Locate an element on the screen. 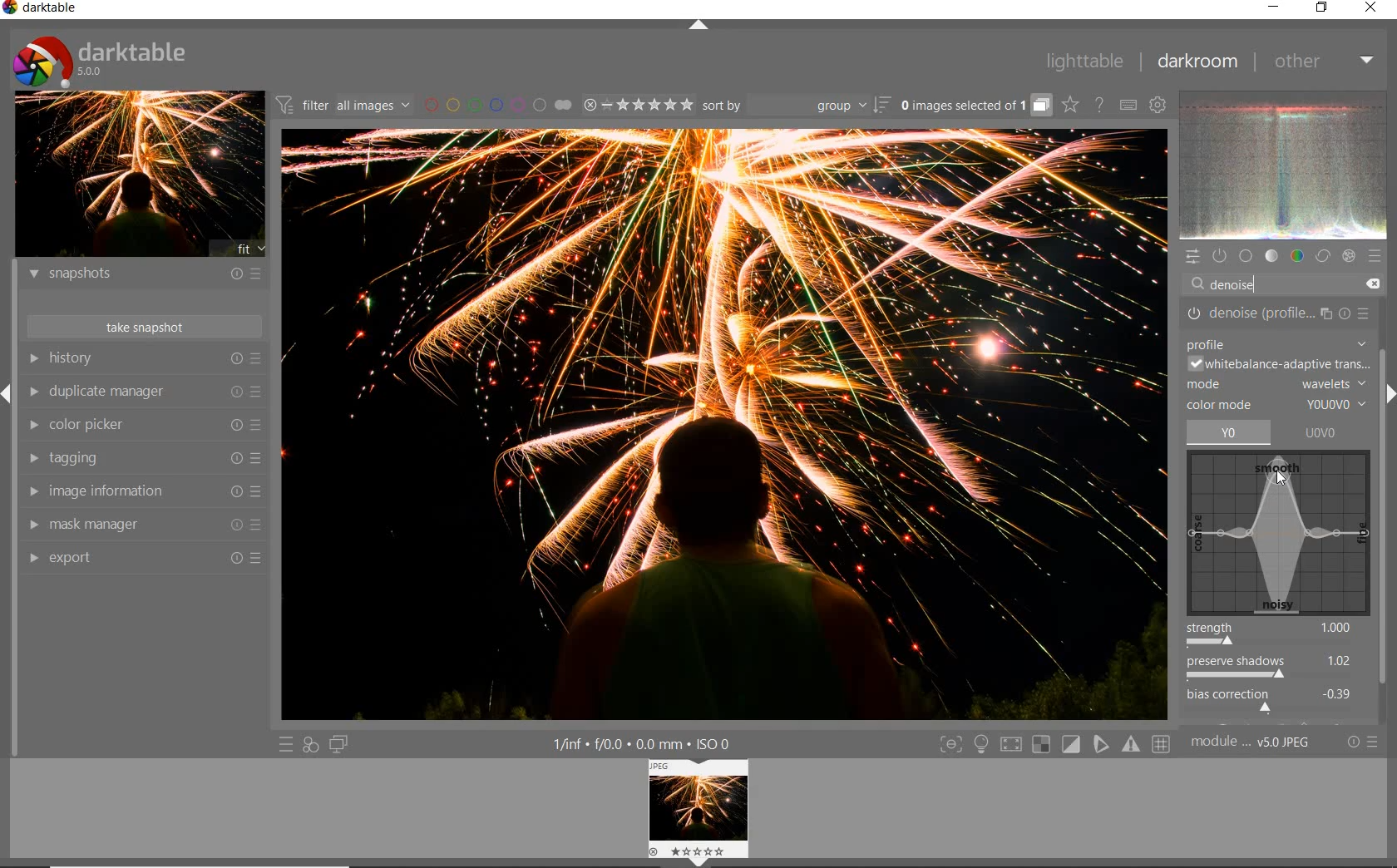  quick access for applying any of your styles is located at coordinates (311, 745).